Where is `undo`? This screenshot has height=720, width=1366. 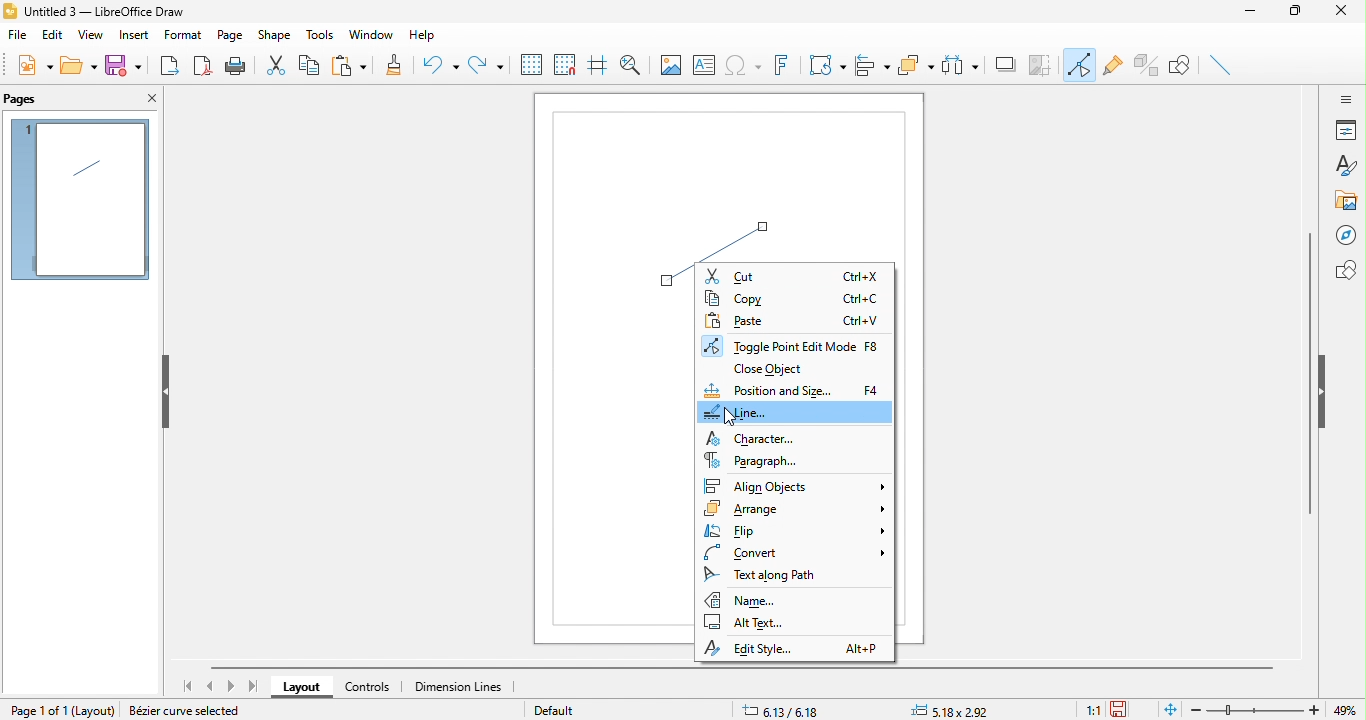 undo is located at coordinates (441, 67).